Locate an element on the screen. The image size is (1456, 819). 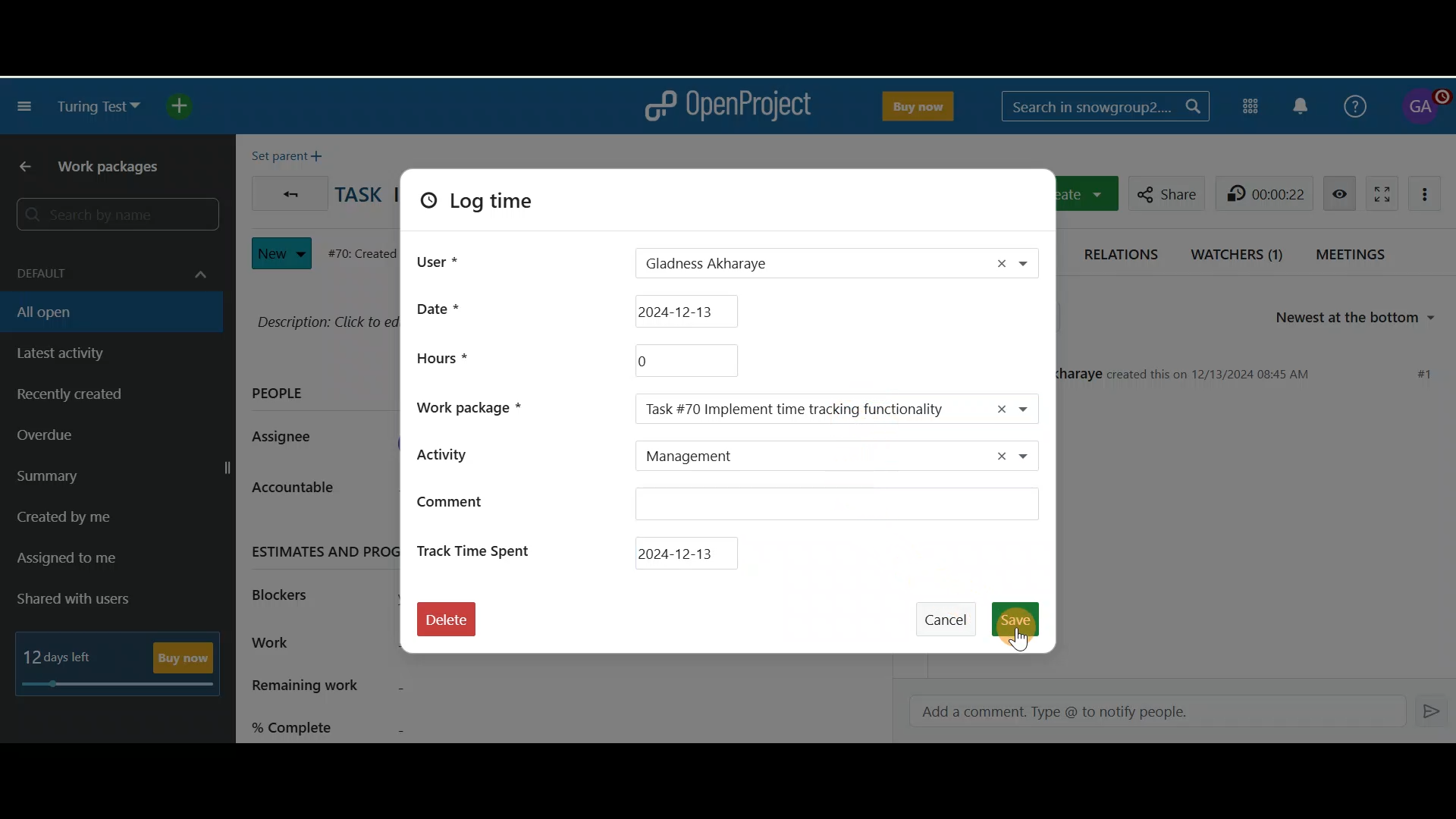
Share is located at coordinates (1163, 191).